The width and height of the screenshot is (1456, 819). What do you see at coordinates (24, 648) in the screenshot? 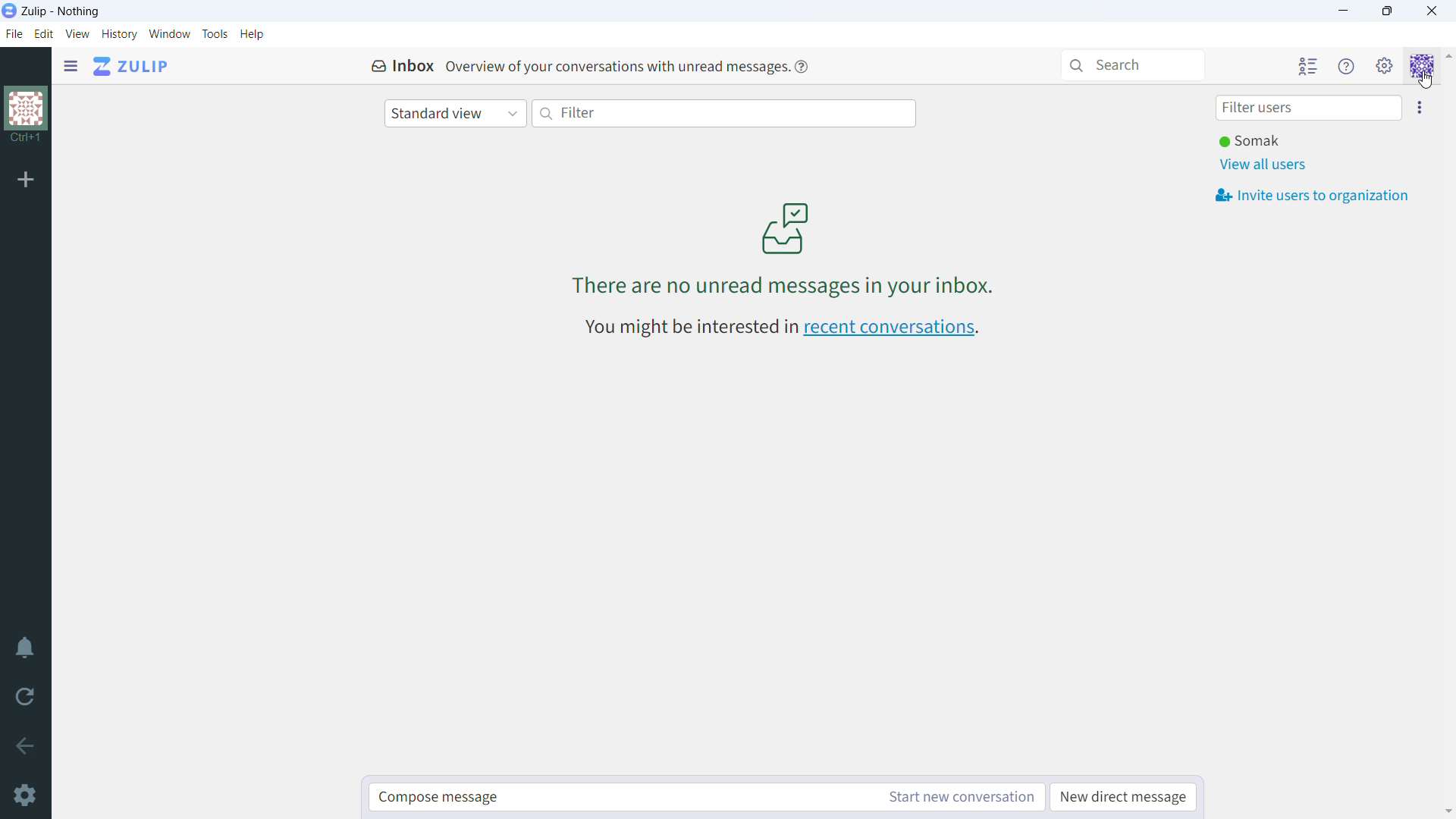
I see `enable do not disturb` at bounding box center [24, 648].